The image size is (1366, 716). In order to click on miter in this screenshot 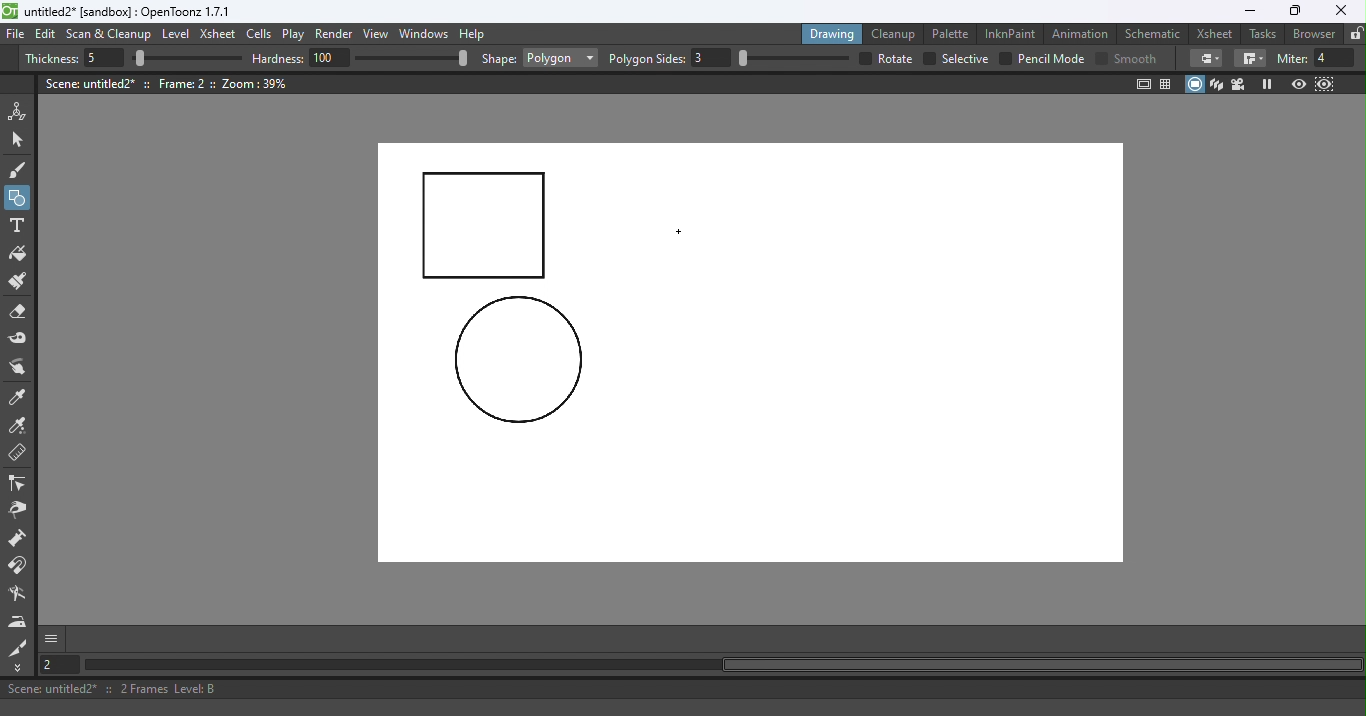, I will do `click(1291, 58)`.